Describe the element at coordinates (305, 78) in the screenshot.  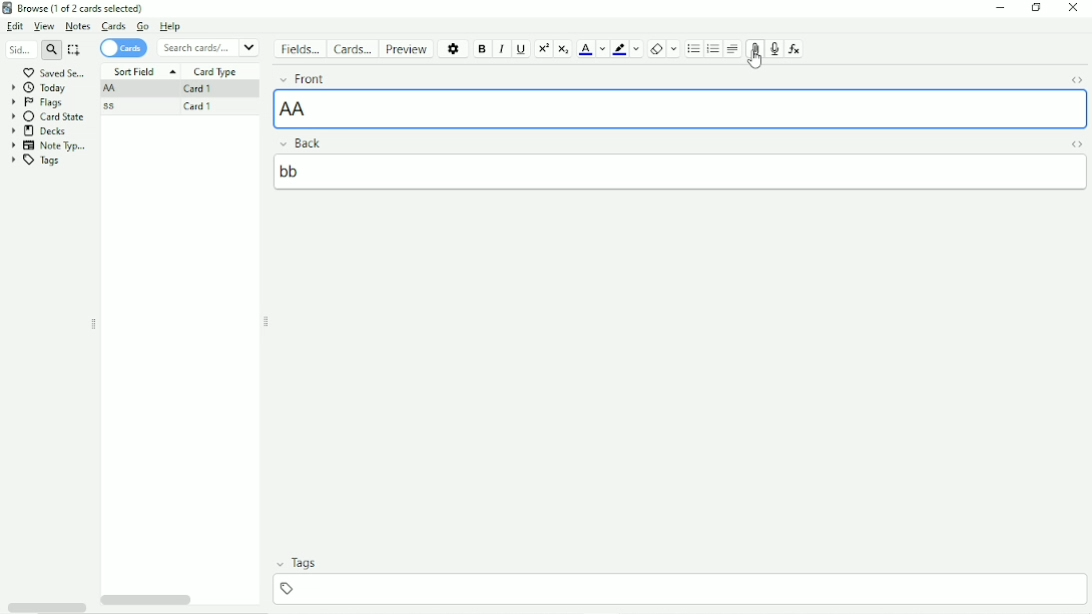
I see `Front` at that location.